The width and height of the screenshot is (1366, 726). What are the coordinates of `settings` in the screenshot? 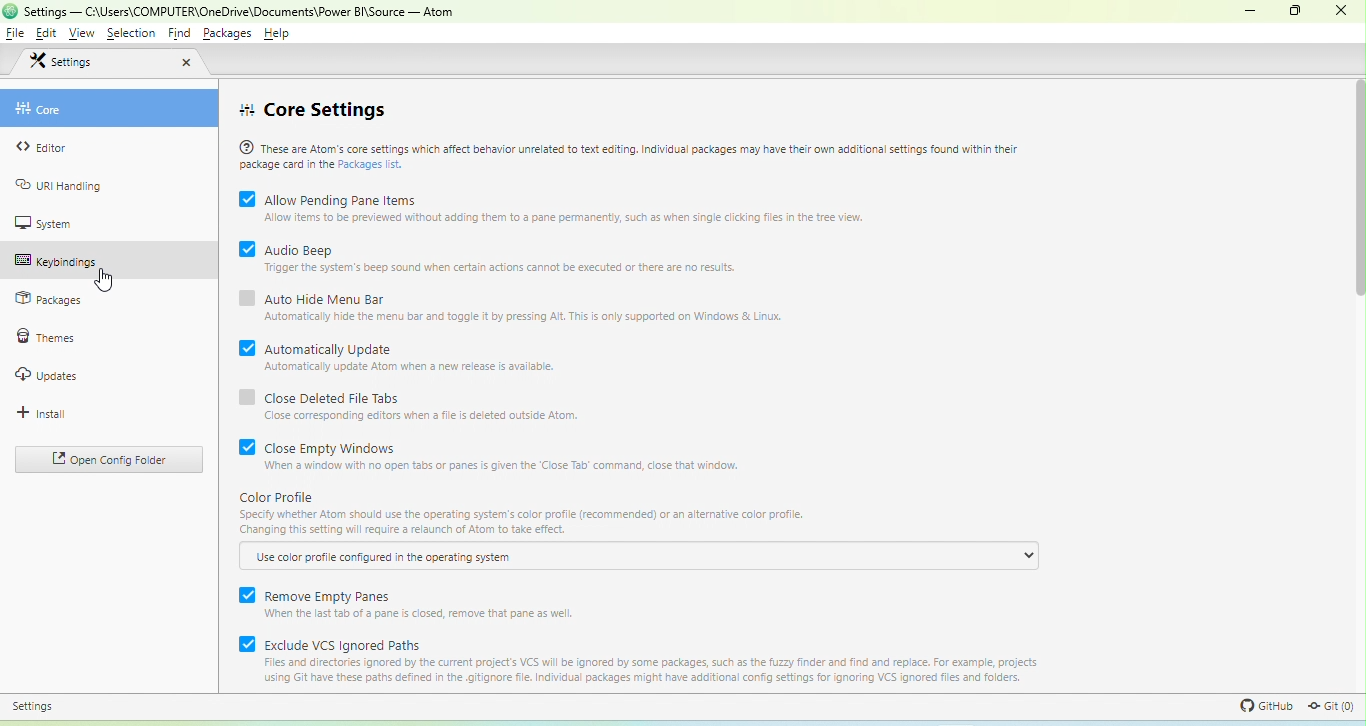 It's located at (34, 705).